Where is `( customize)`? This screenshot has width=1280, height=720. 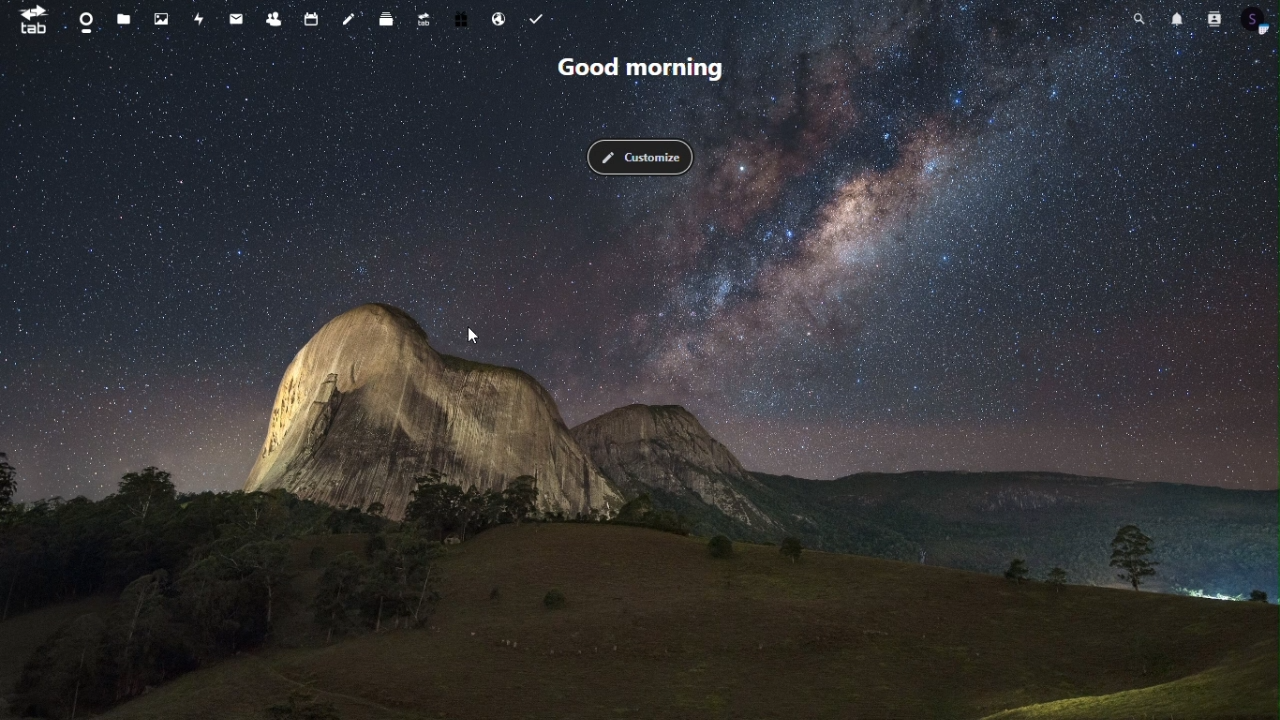
( customize) is located at coordinates (641, 157).